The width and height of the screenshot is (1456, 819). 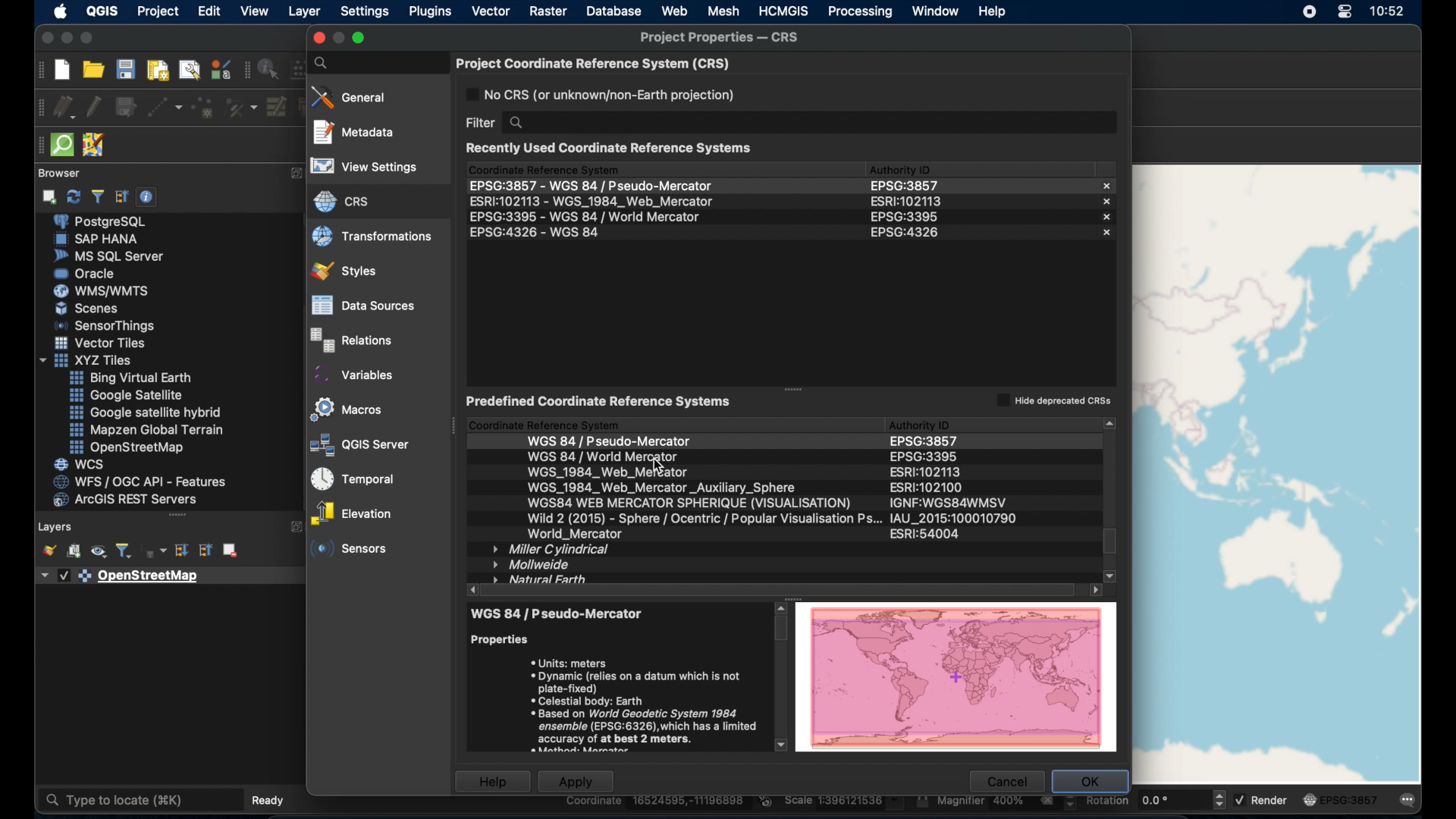 What do you see at coordinates (356, 133) in the screenshot?
I see `metadata` at bounding box center [356, 133].